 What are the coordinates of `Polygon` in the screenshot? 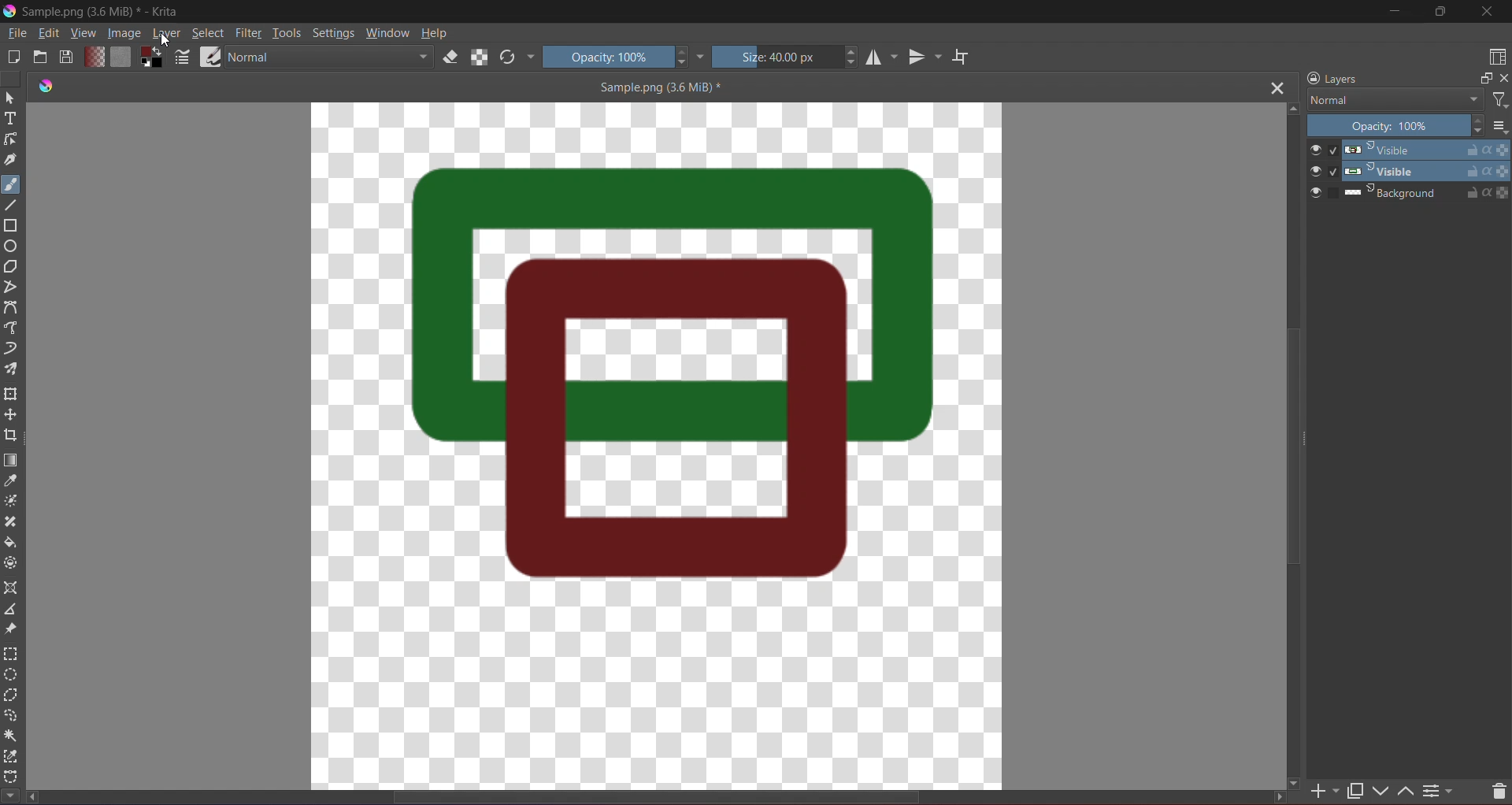 It's located at (16, 267).